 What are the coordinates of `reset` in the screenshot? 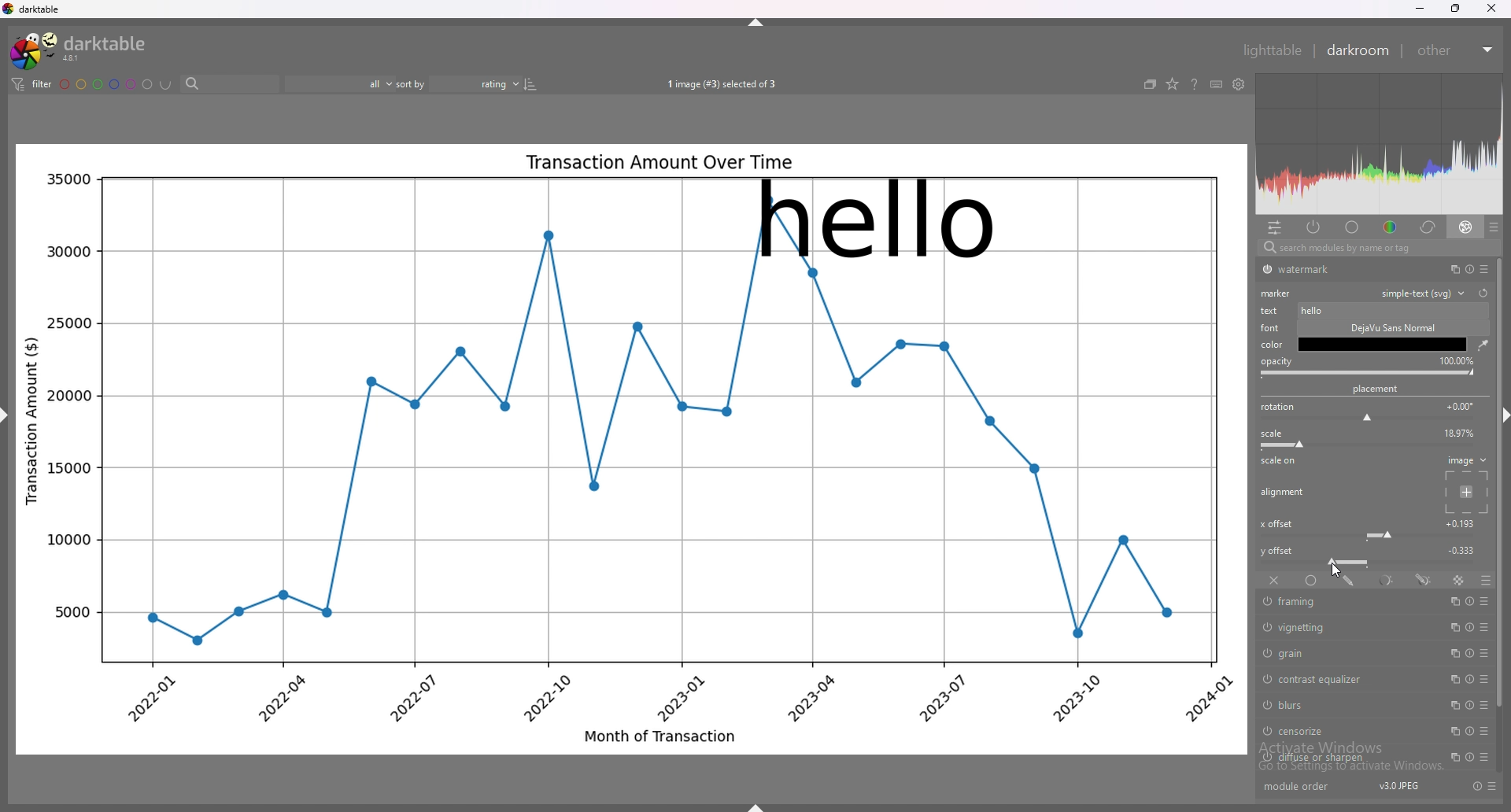 It's located at (1476, 786).